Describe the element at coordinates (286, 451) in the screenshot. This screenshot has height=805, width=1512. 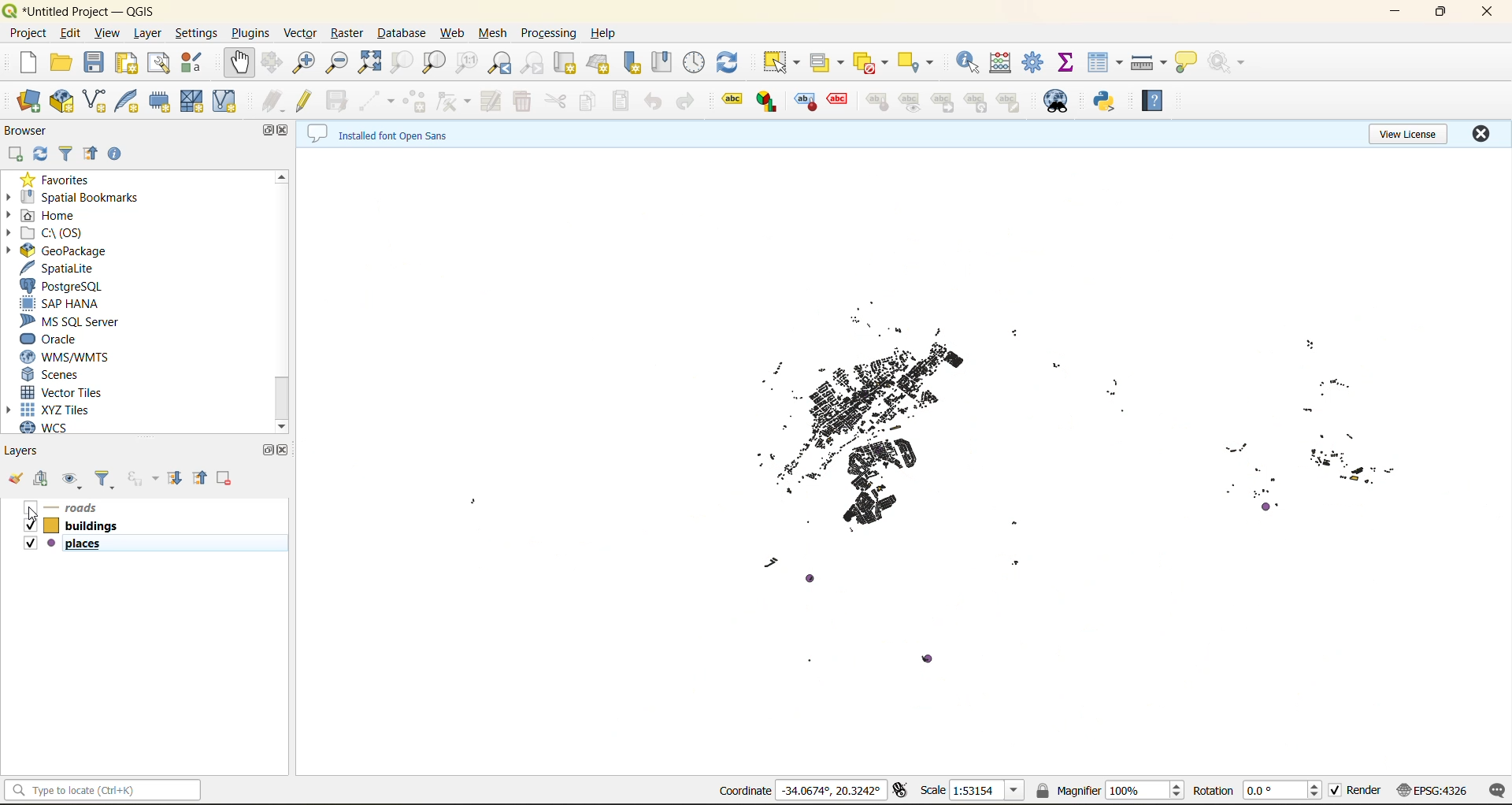
I see `close` at that location.